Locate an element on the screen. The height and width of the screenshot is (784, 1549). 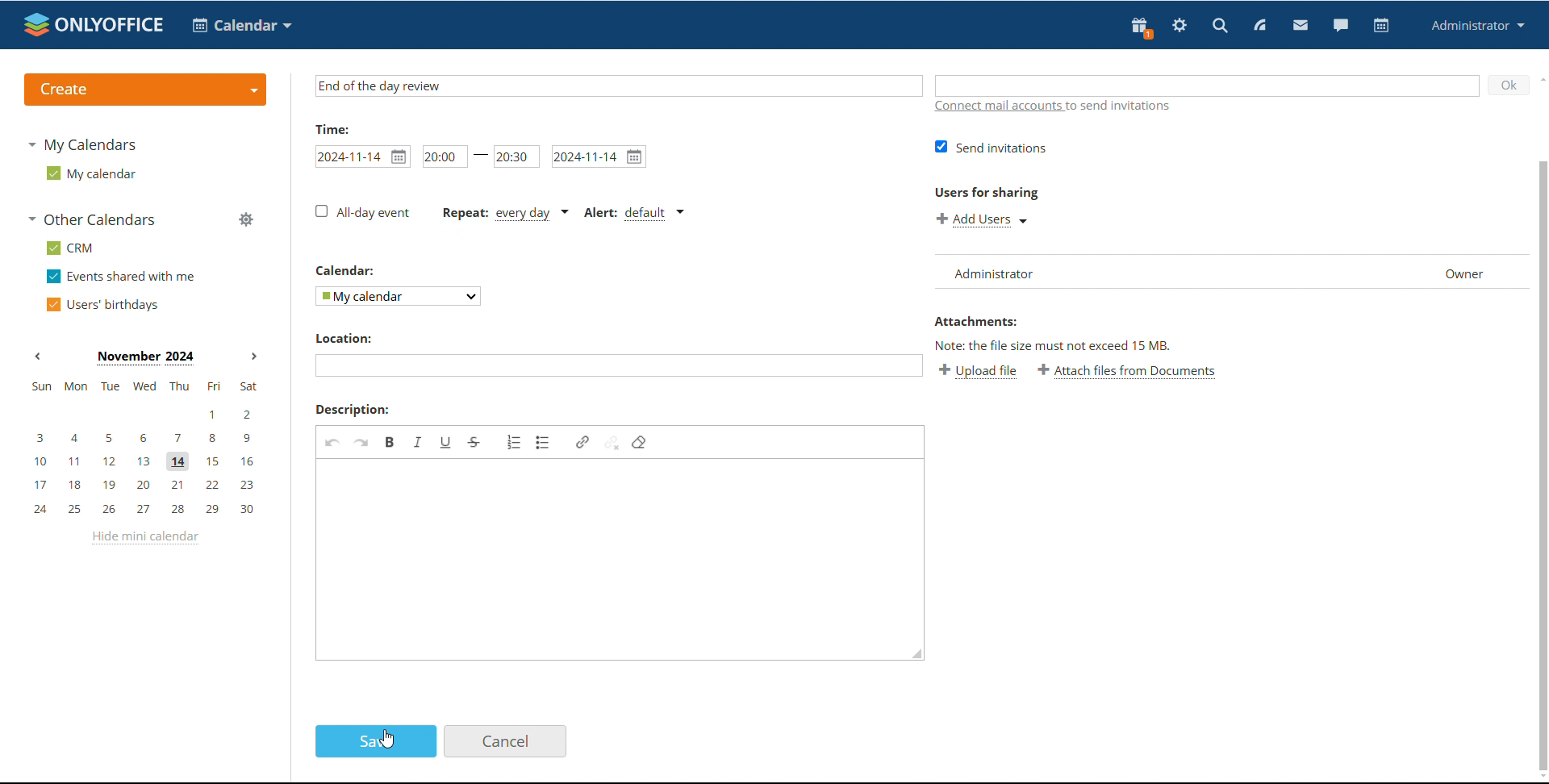
Upload file is located at coordinates (979, 373).